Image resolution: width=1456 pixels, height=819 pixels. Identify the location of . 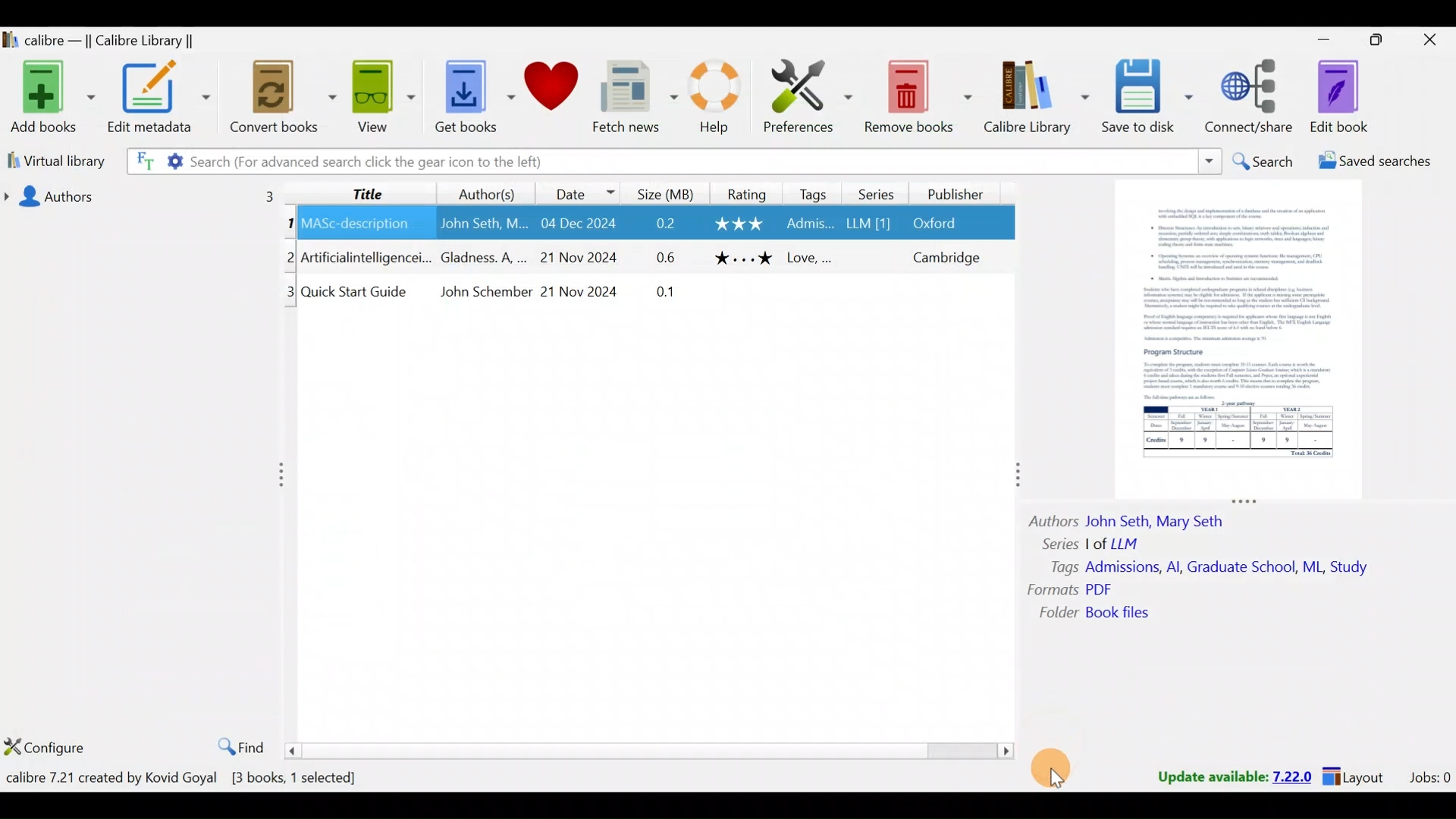
(289, 226).